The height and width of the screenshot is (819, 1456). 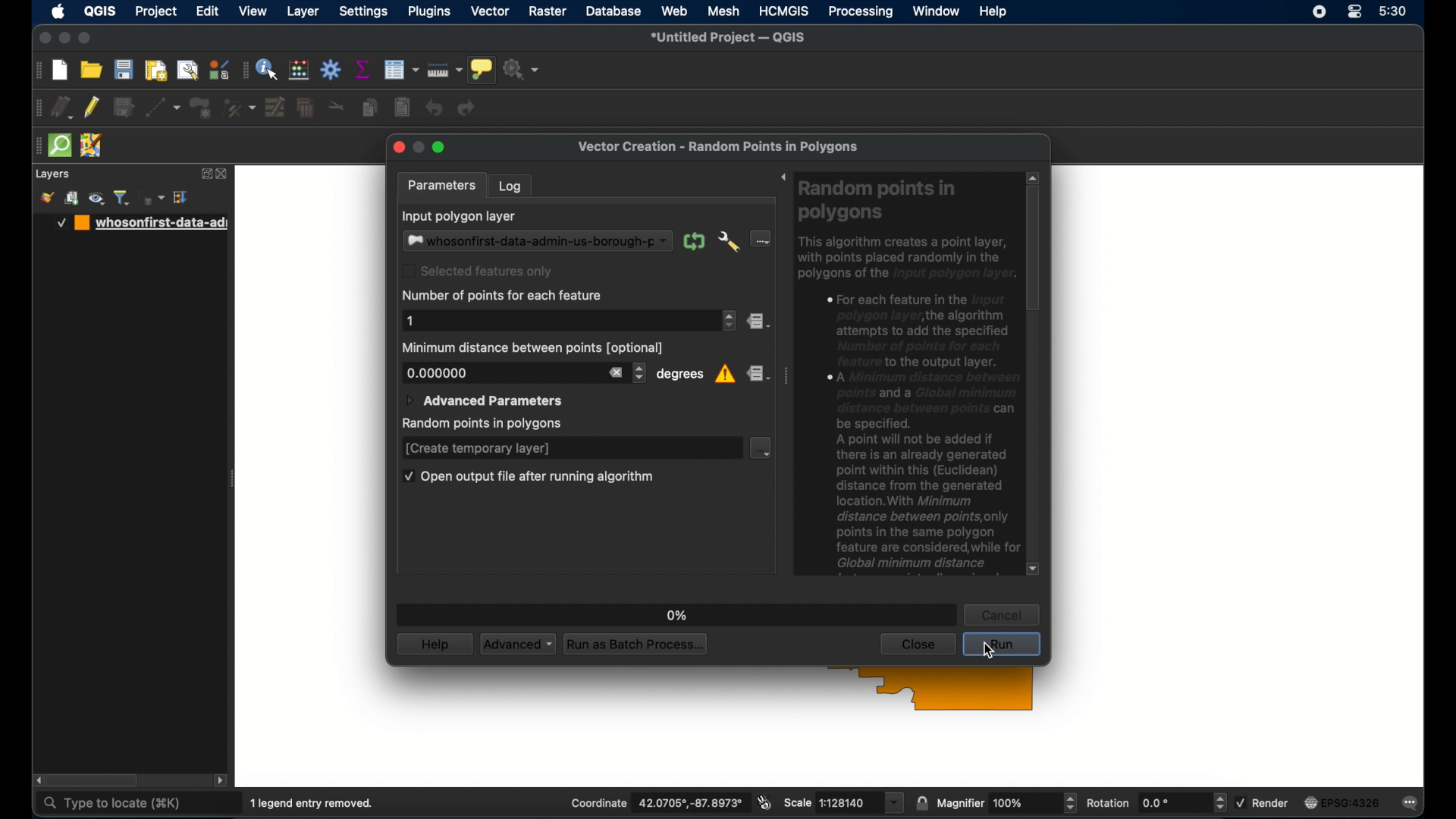 What do you see at coordinates (98, 199) in the screenshot?
I see `manage map theme` at bounding box center [98, 199].